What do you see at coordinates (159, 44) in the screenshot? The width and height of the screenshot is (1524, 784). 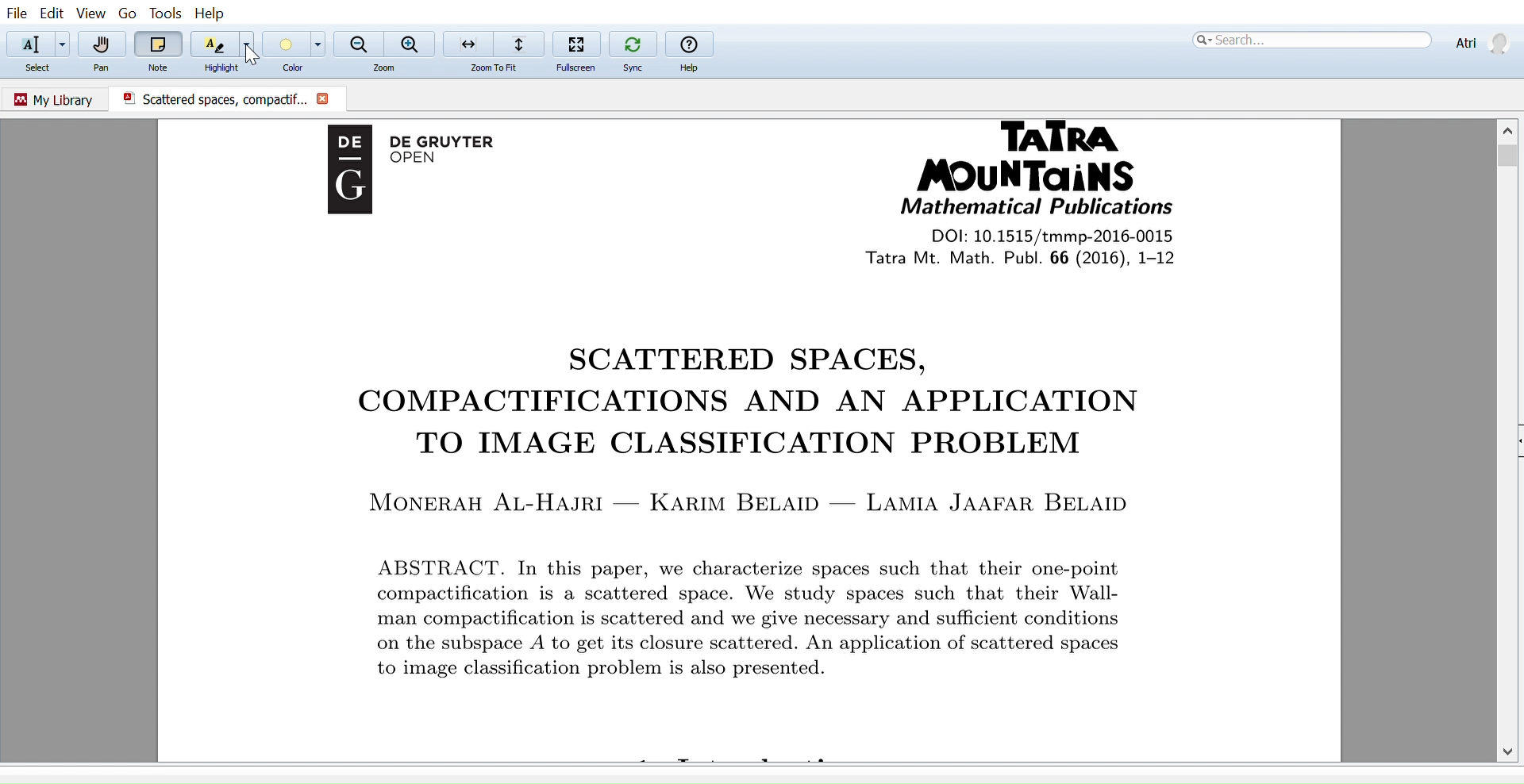 I see `Note` at bounding box center [159, 44].